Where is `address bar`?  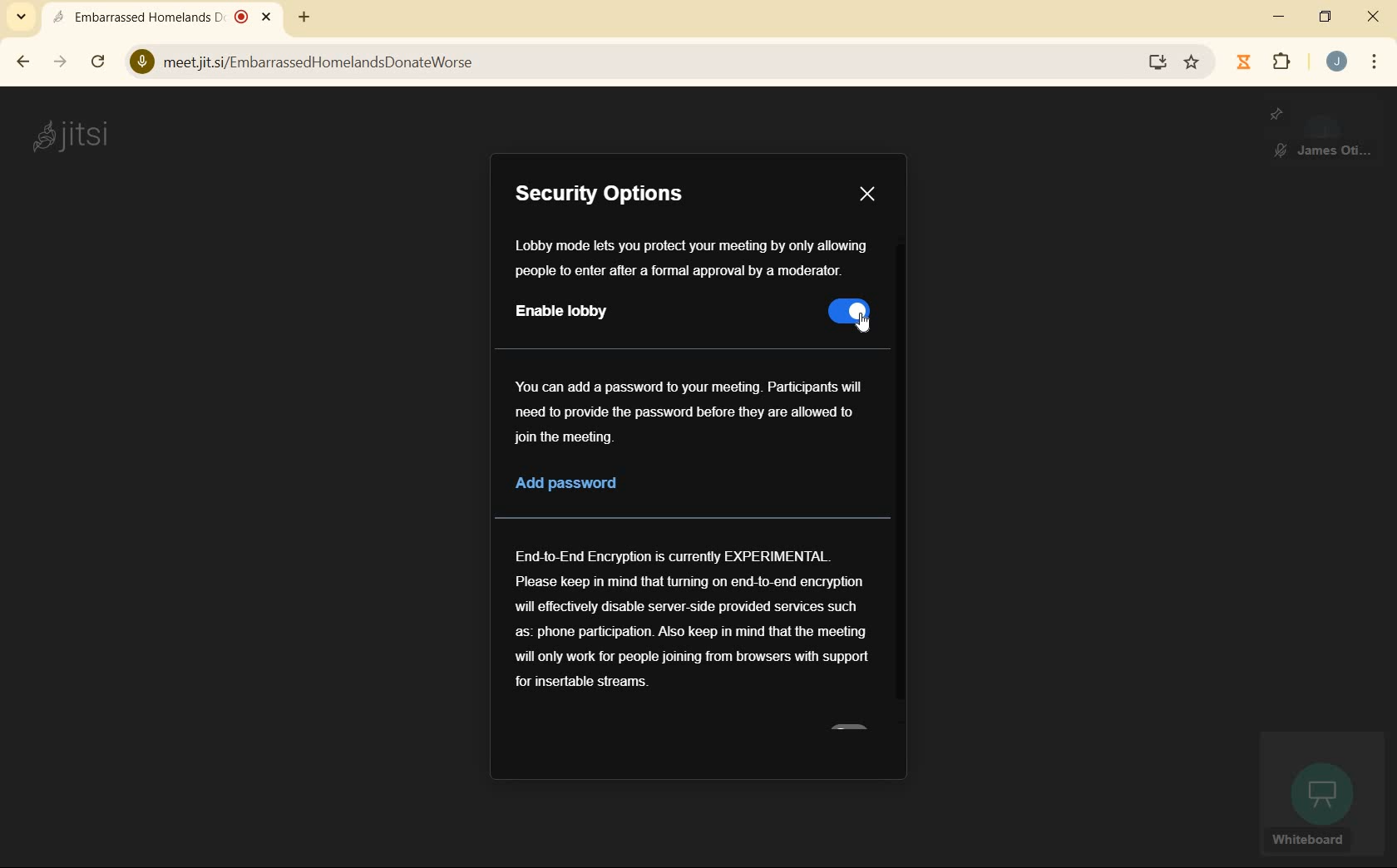 address bar is located at coordinates (644, 63).